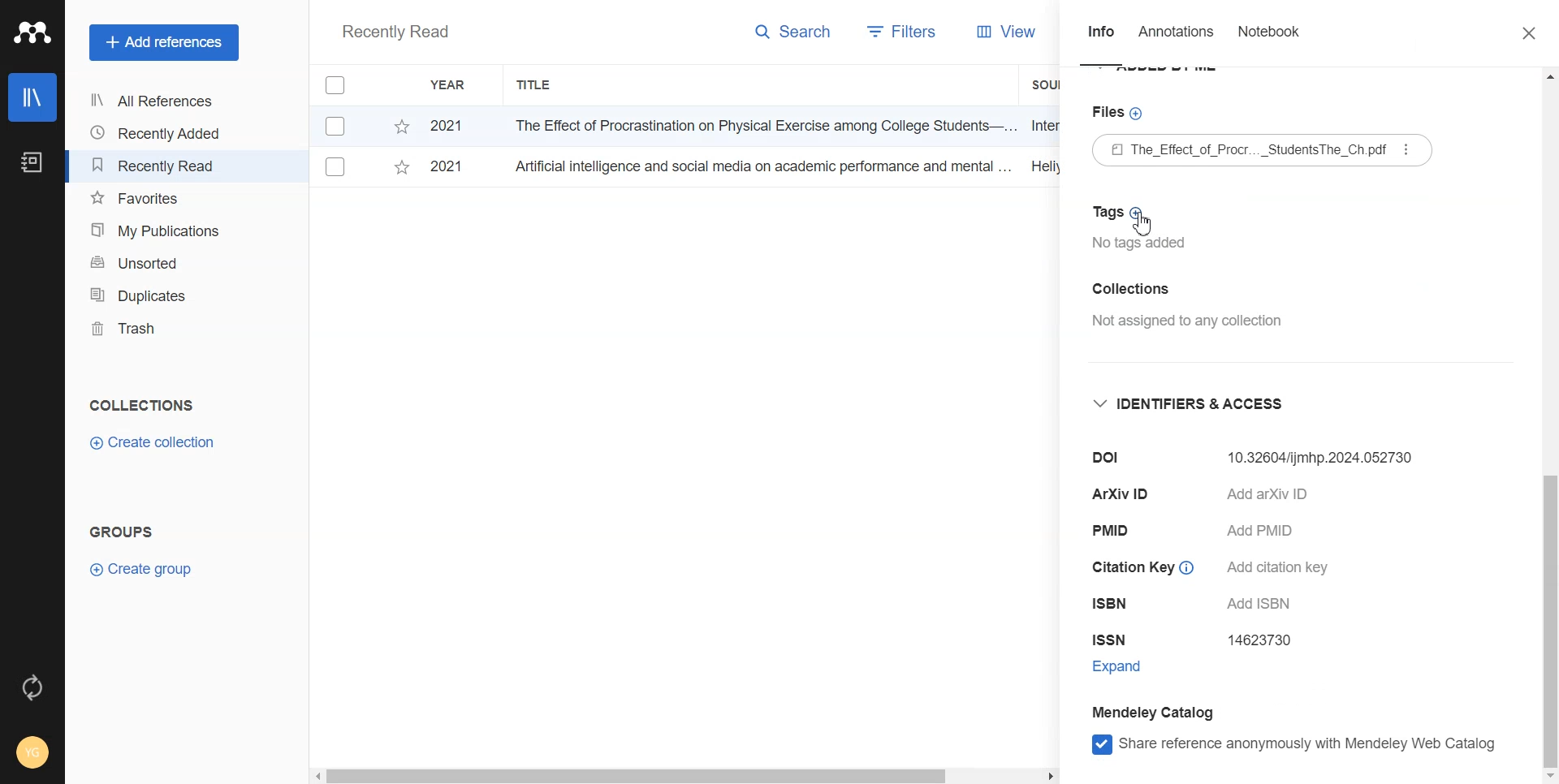 Image resolution: width=1559 pixels, height=784 pixels. Describe the element at coordinates (158, 166) in the screenshot. I see `Recently Read` at that location.